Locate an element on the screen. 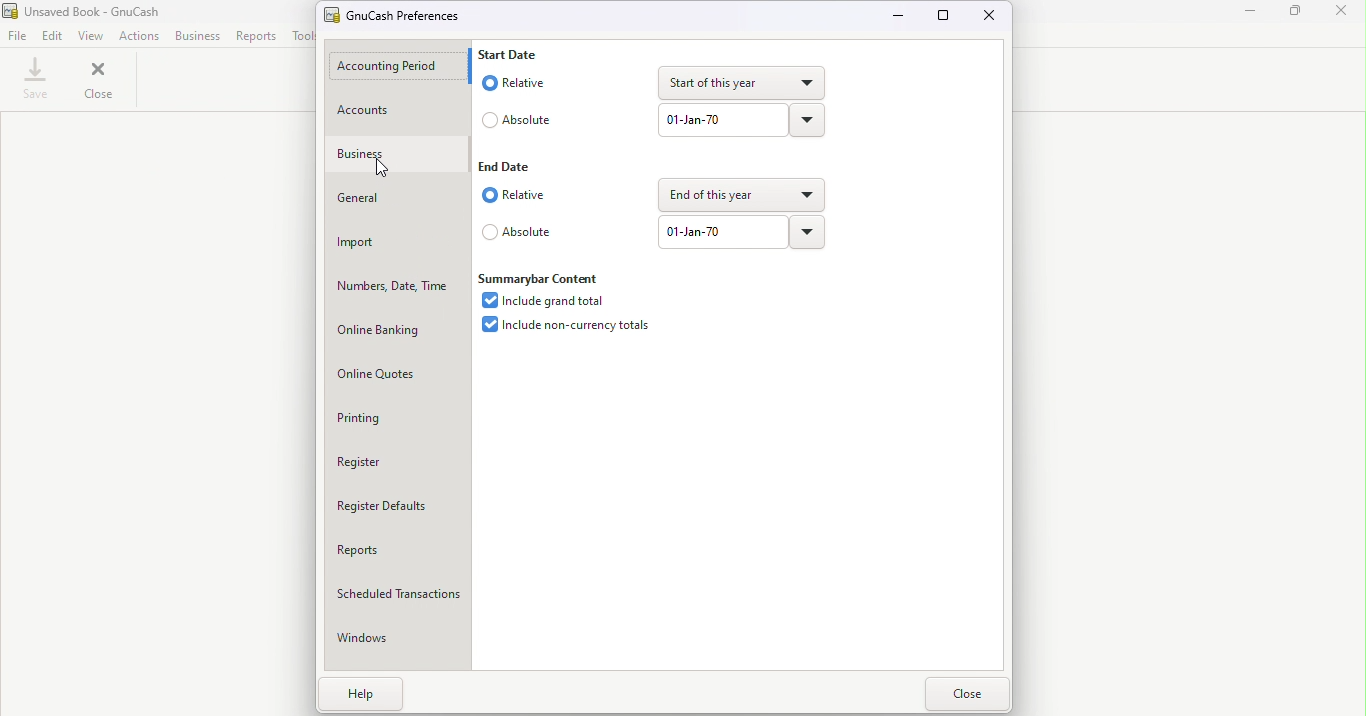 The width and height of the screenshot is (1366, 716). Drop down is located at coordinates (738, 84).